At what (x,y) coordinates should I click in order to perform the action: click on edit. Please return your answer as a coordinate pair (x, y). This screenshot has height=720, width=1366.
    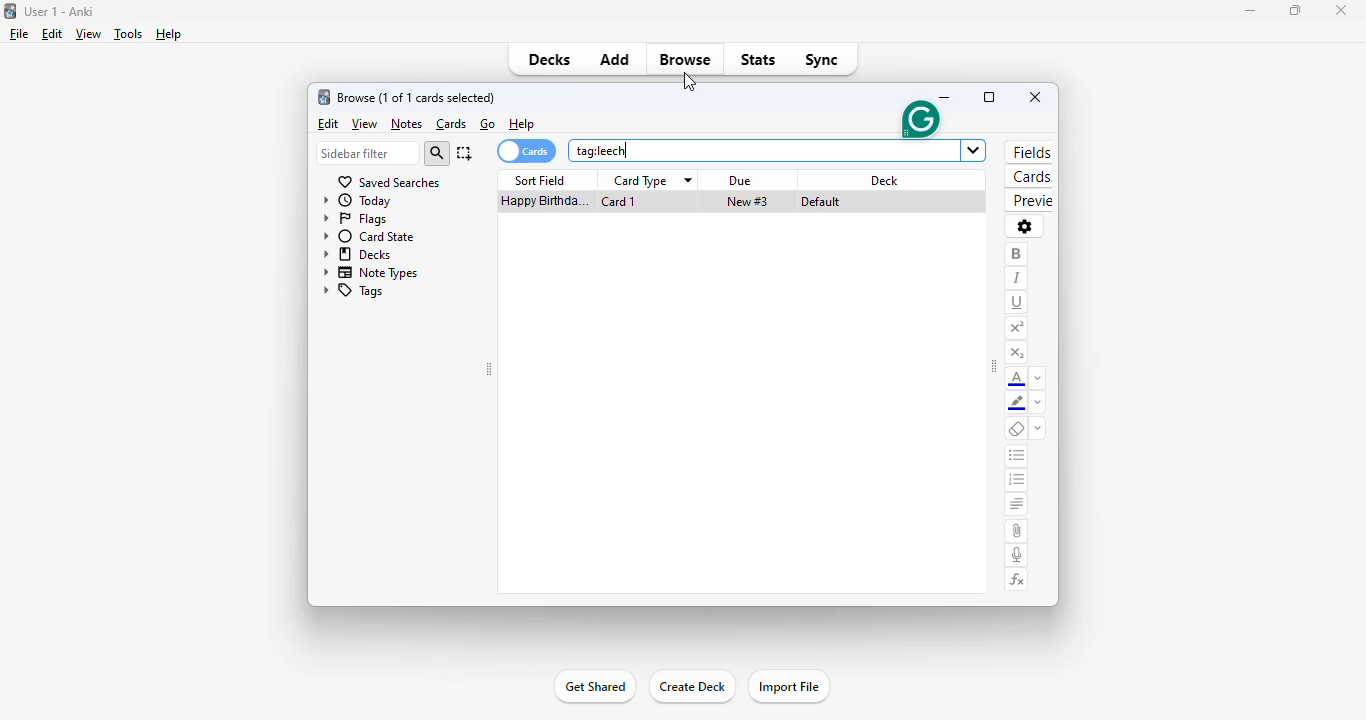
    Looking at the image, I should click on (52, 34).